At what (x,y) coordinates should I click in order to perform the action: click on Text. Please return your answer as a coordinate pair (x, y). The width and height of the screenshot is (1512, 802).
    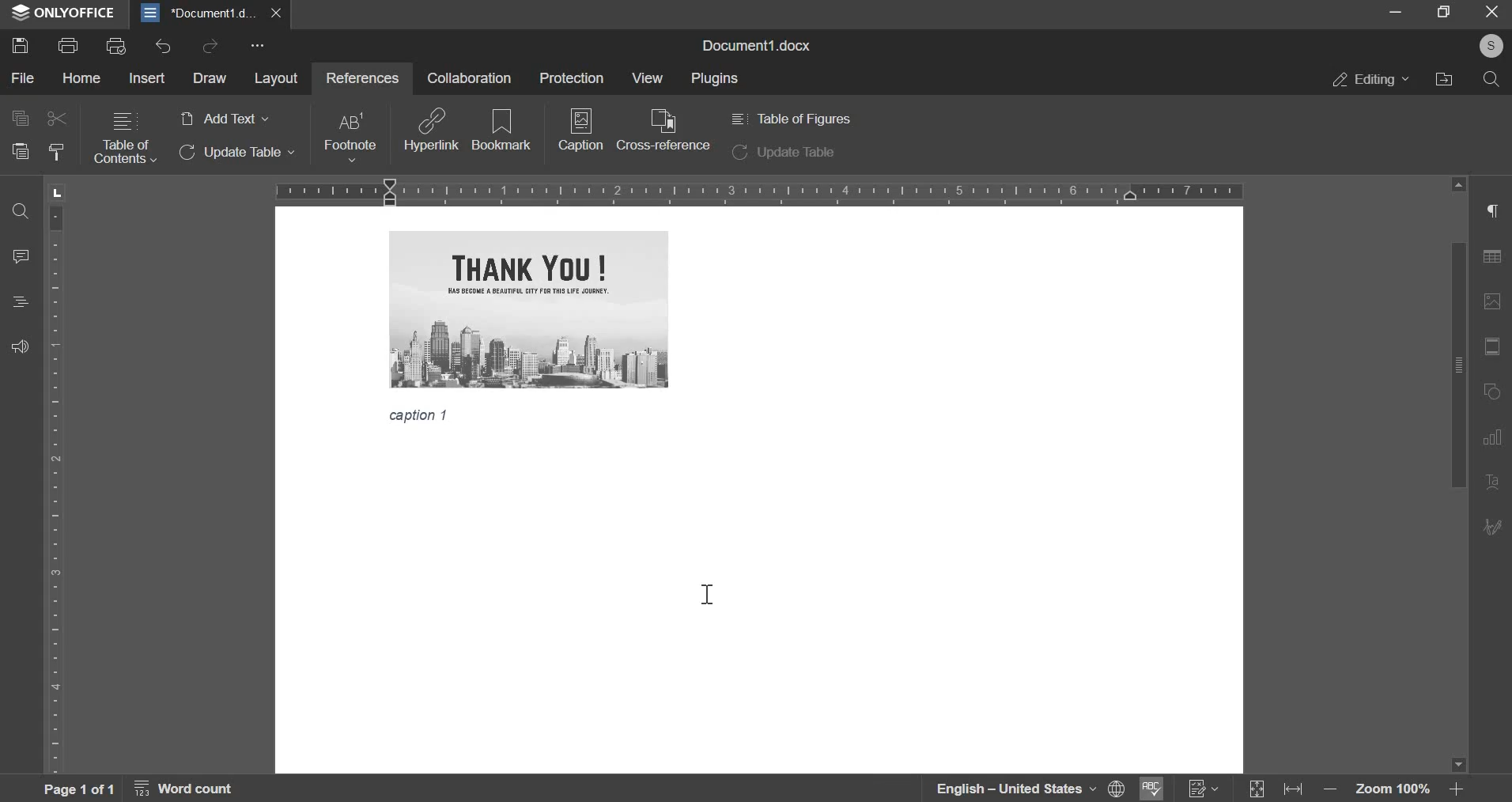
    Looking at the image, I should click on (421, 418).